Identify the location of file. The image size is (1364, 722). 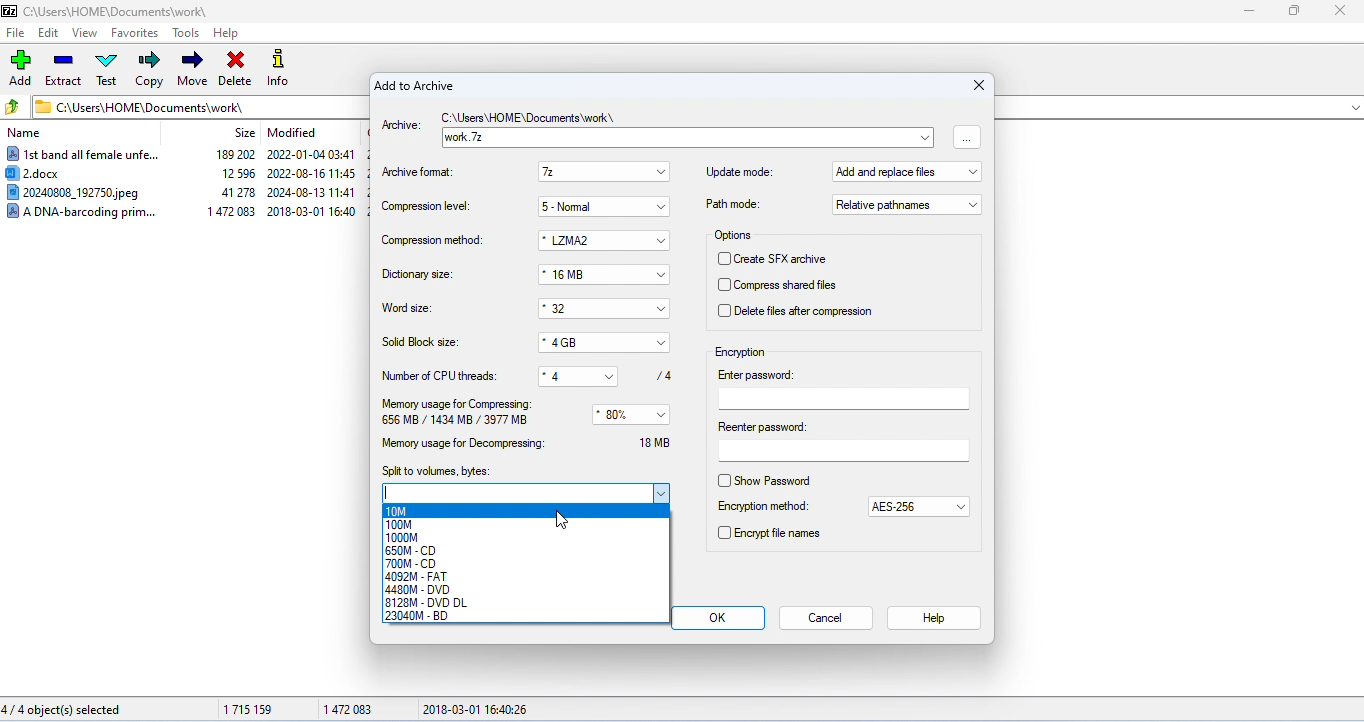
(15, 32).